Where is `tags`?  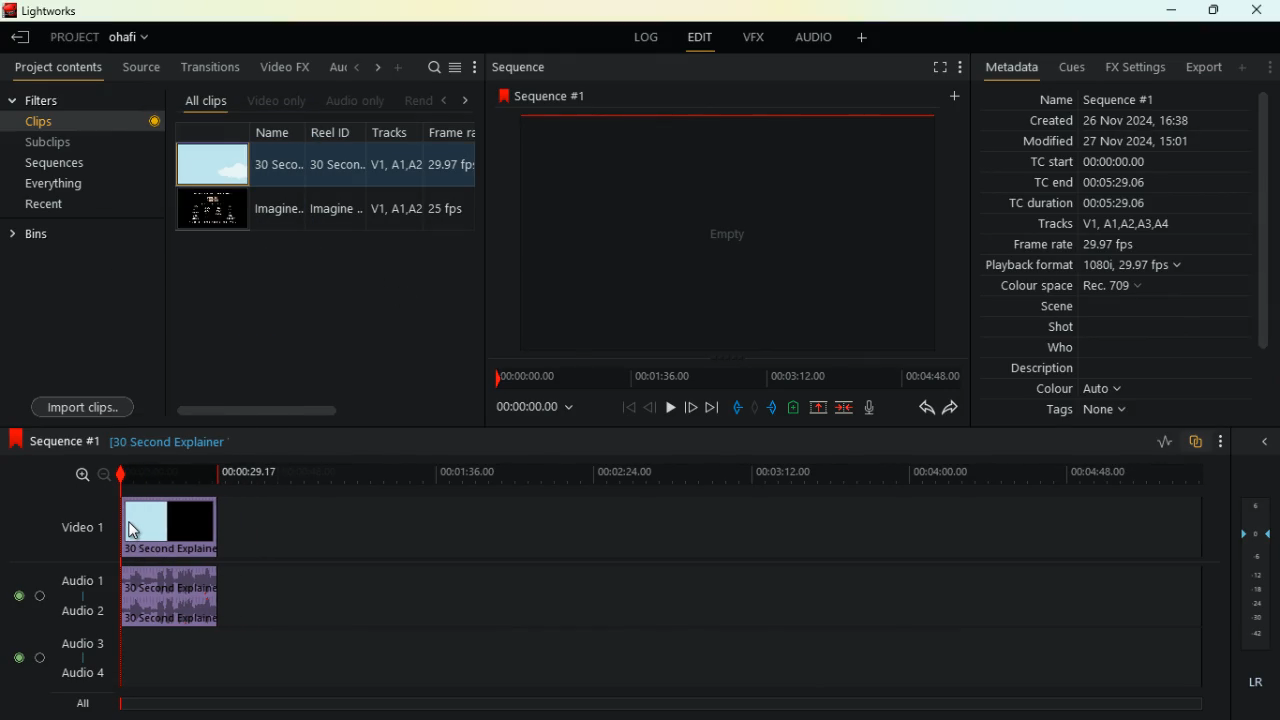
tags is located at coordinates (1084, 413).